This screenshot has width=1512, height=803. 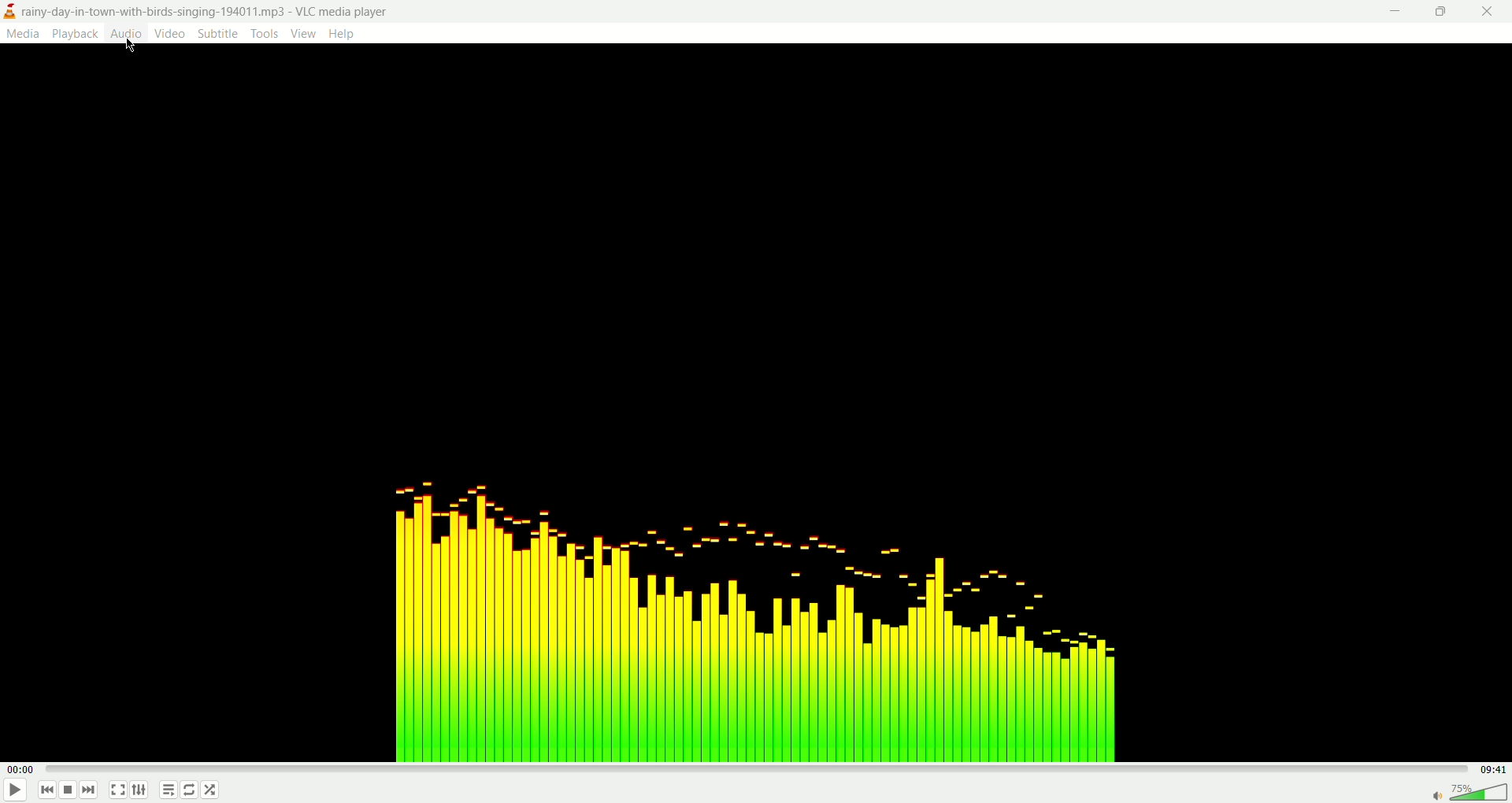 I want to click on volume bar, so click(x=1468, y=790).